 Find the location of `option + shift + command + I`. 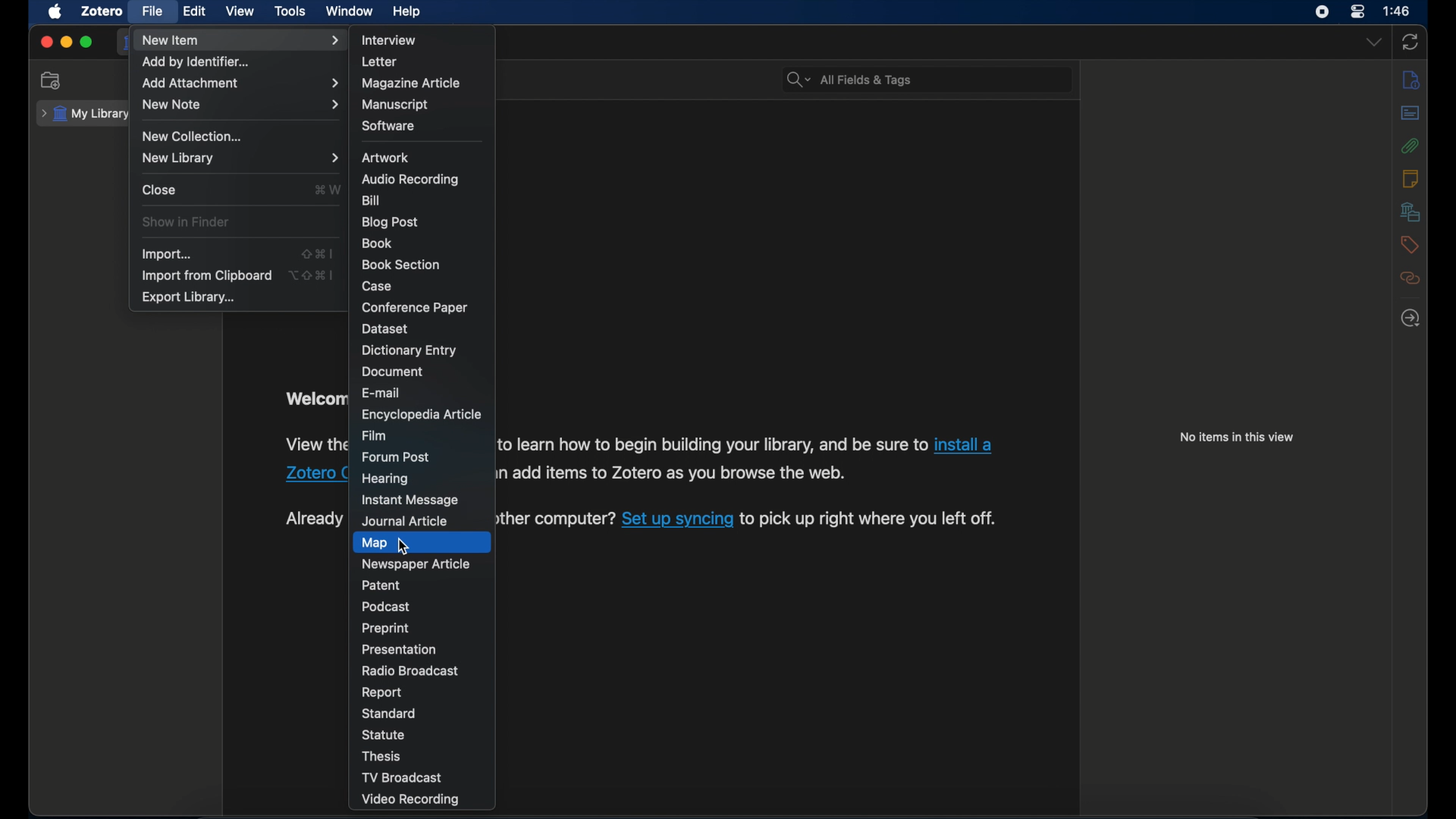

option + shift + command + I is located at coordinates (310, 275).